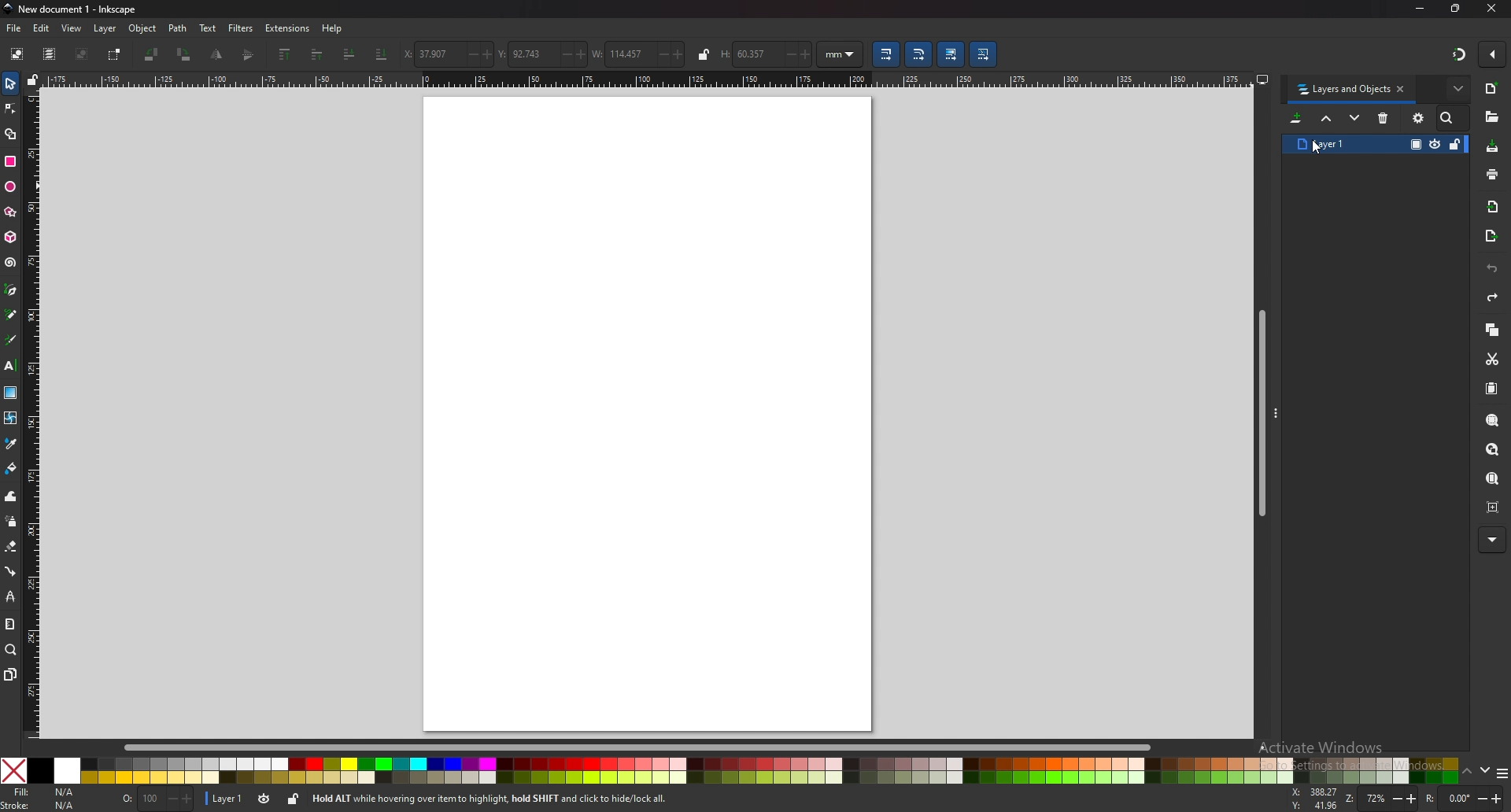 This screenshot has height=812, width=1511. Describe the element at coordinates (467, 55) in the screenshot. I see `decrease` at that location.